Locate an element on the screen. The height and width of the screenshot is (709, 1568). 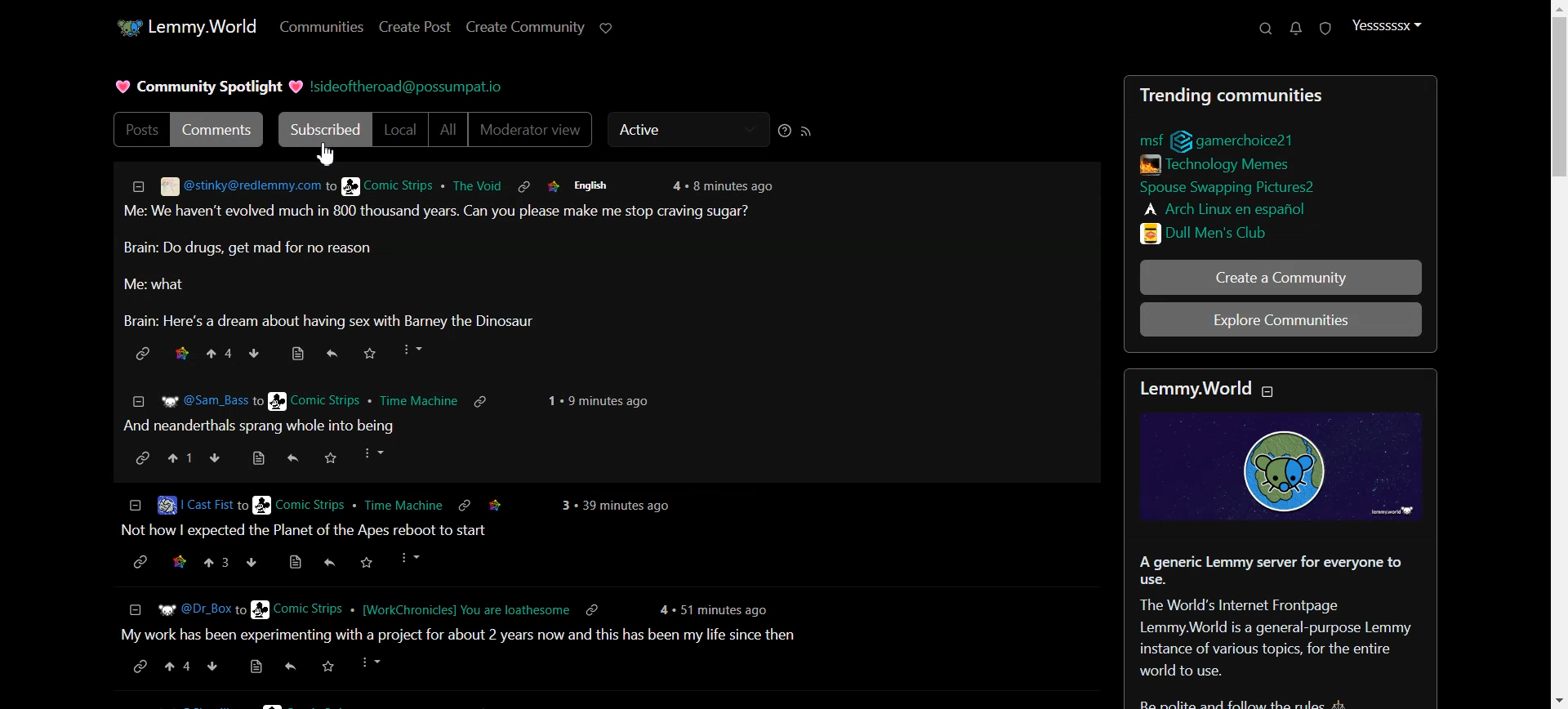
bookmark is located at coordinates (256, 458).